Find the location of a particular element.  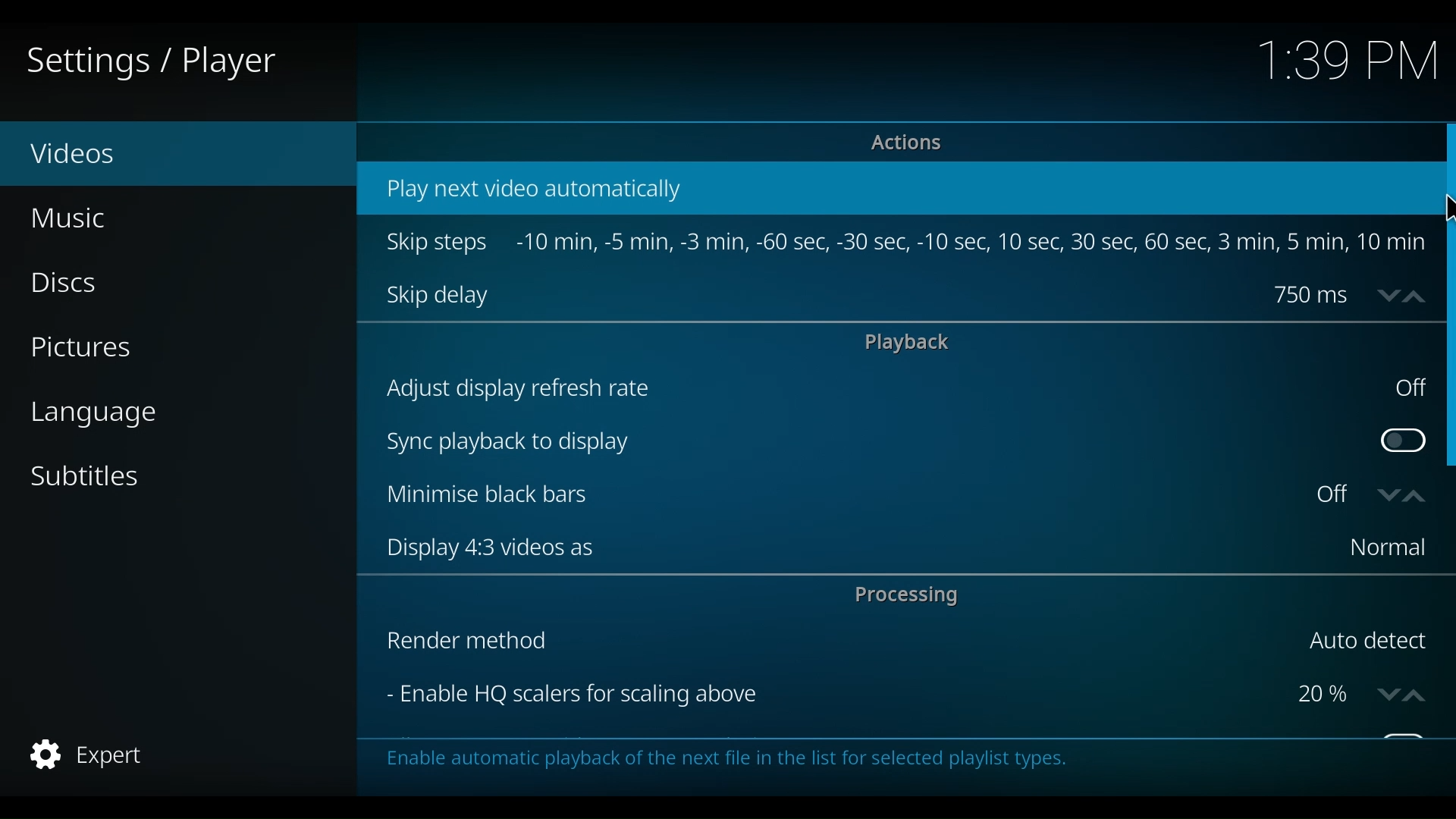

down is located at coordinates (1384, 695).